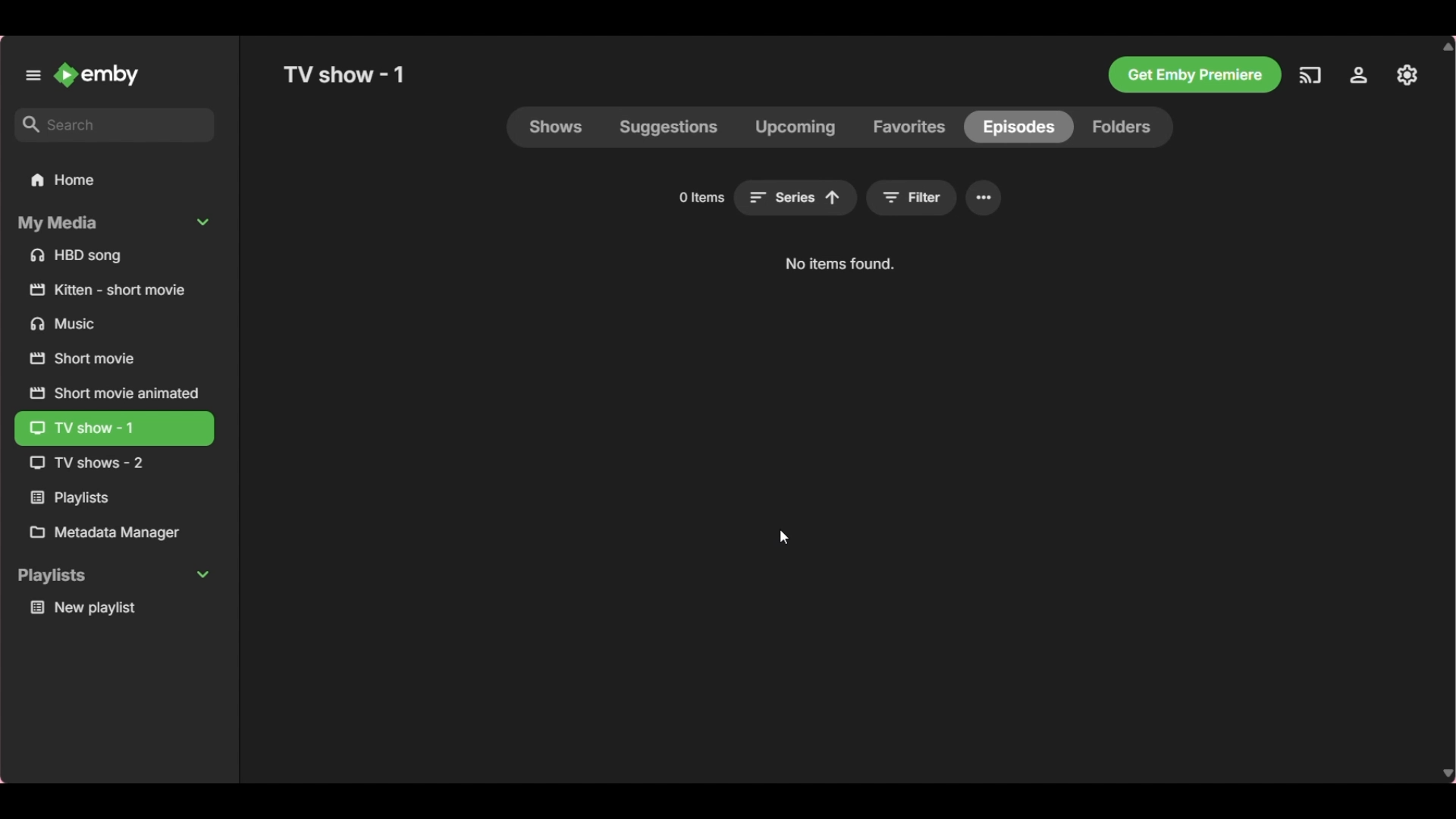 The width and height of the screenshot is (1456, 819). I want to click on Favorites, so click(909, 127).